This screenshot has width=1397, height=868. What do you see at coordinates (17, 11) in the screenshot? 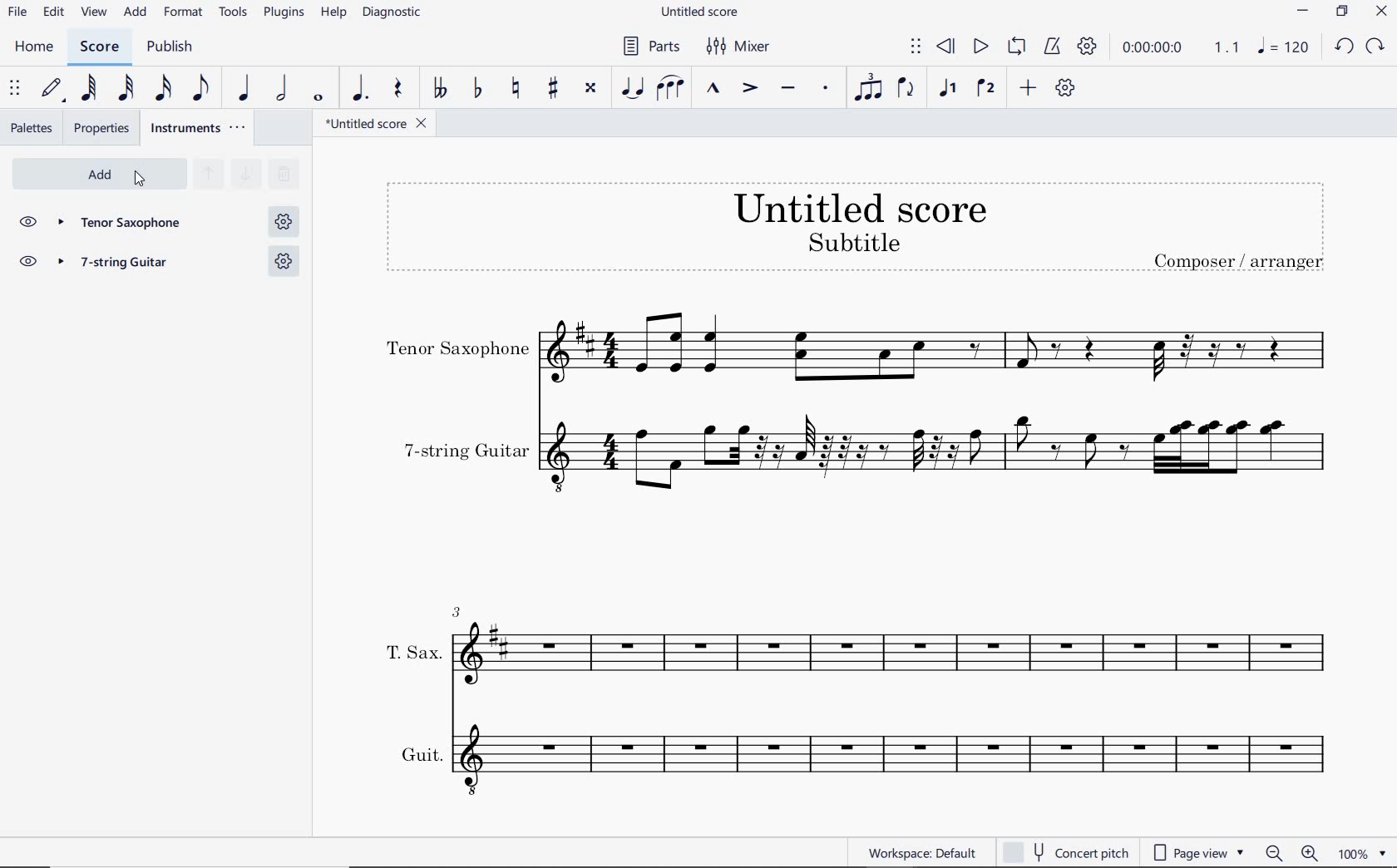
I see `FILE` at bounding box center [17, 11].